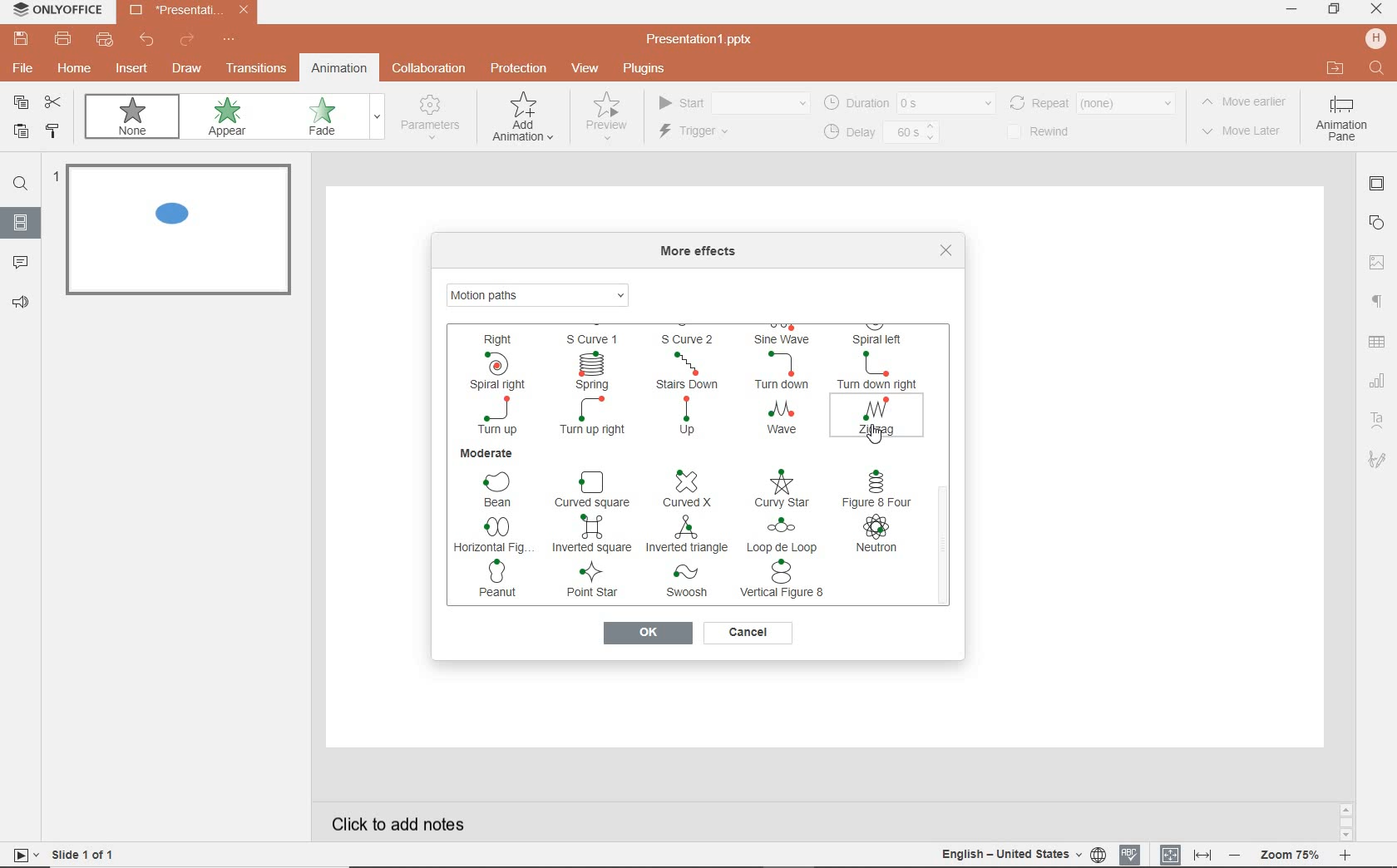  I want to click on start, so click(732, 104).